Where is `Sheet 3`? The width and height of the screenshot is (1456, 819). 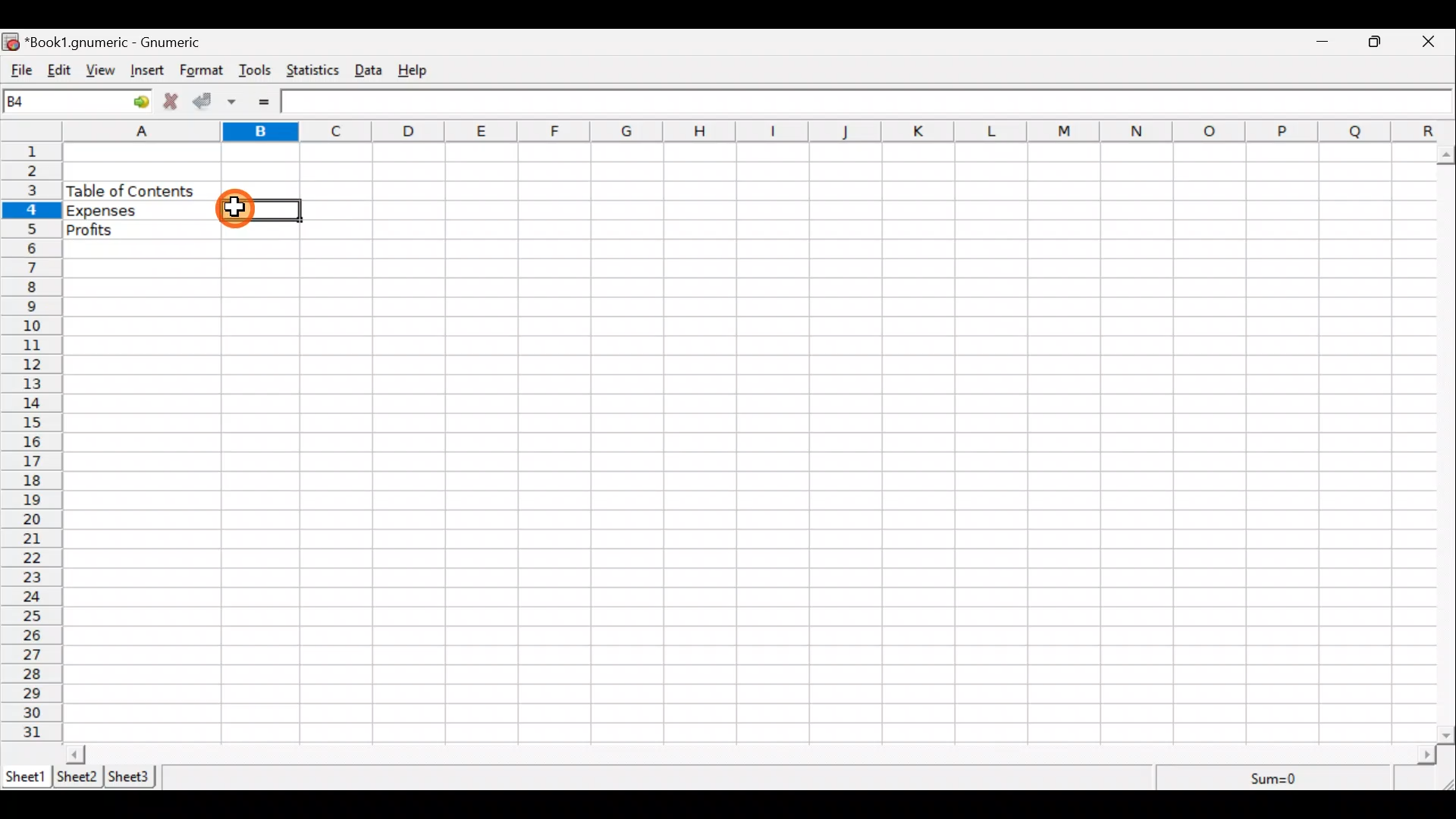 Sheet 3 is located at coordinates (133, 777).